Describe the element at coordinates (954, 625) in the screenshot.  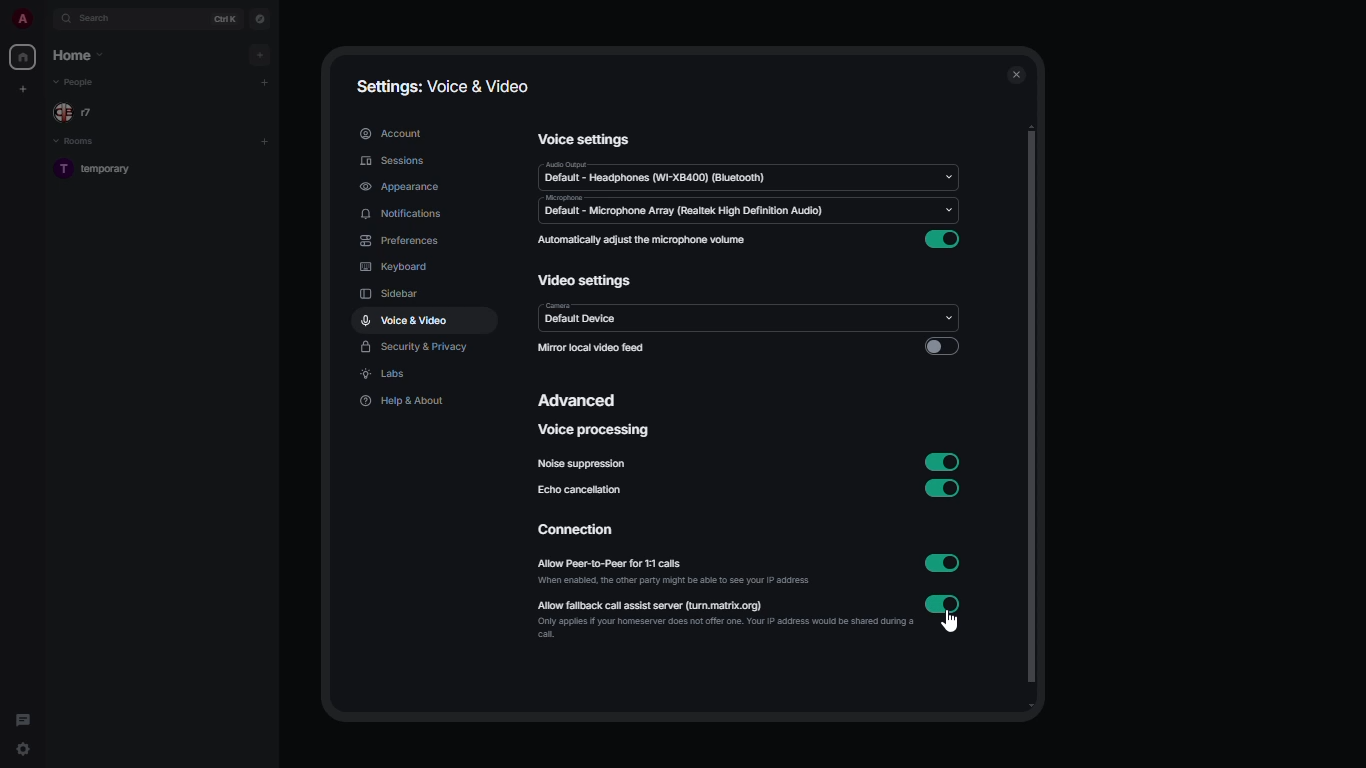
I see `cursor` at that location.